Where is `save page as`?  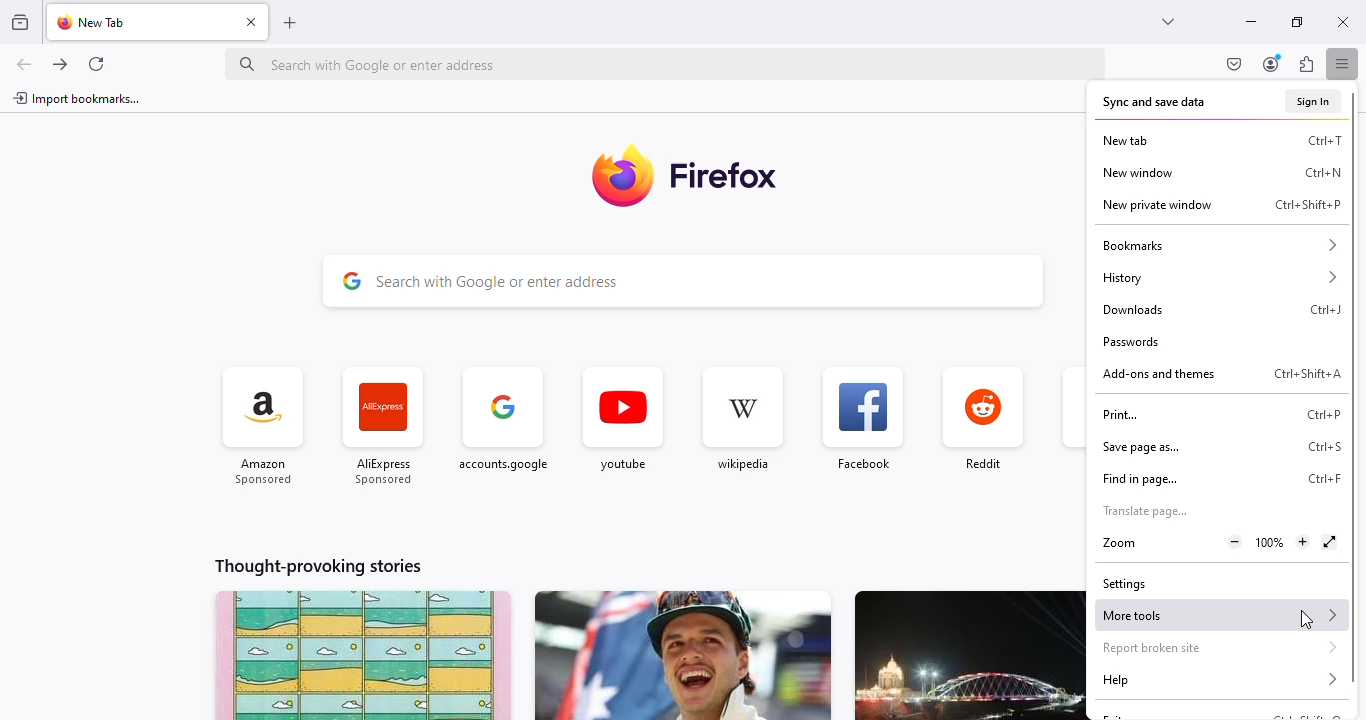 save page as is located at coordinates (1141, 447).